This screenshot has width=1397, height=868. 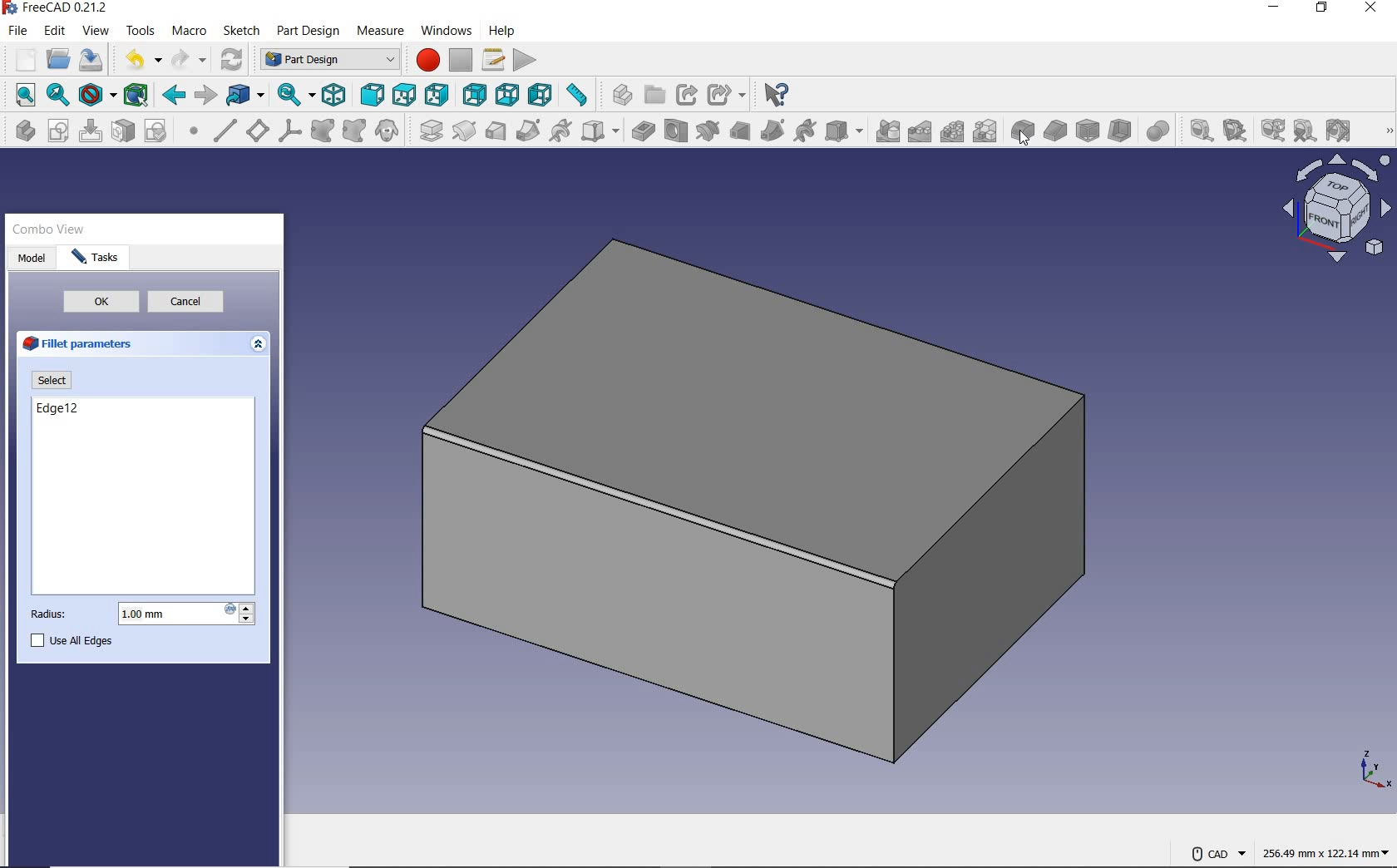 I want to click on Boolean operation, so click(x=1160, y=131).